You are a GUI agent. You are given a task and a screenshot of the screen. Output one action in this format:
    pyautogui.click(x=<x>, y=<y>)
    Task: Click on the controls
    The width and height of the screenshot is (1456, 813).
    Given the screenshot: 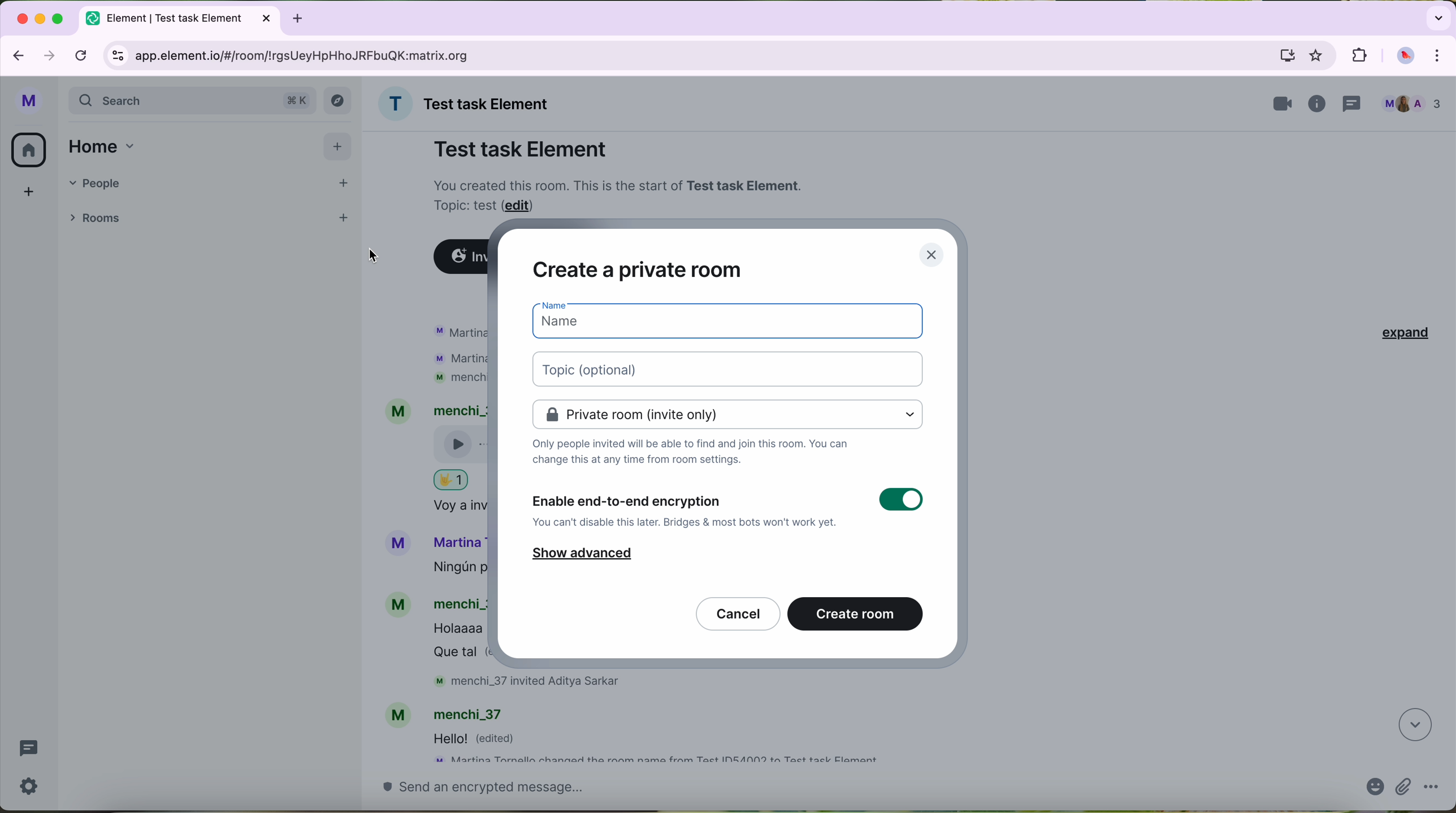 What is the action you would take?
    pyautogui.click(x=118, y=57)
    